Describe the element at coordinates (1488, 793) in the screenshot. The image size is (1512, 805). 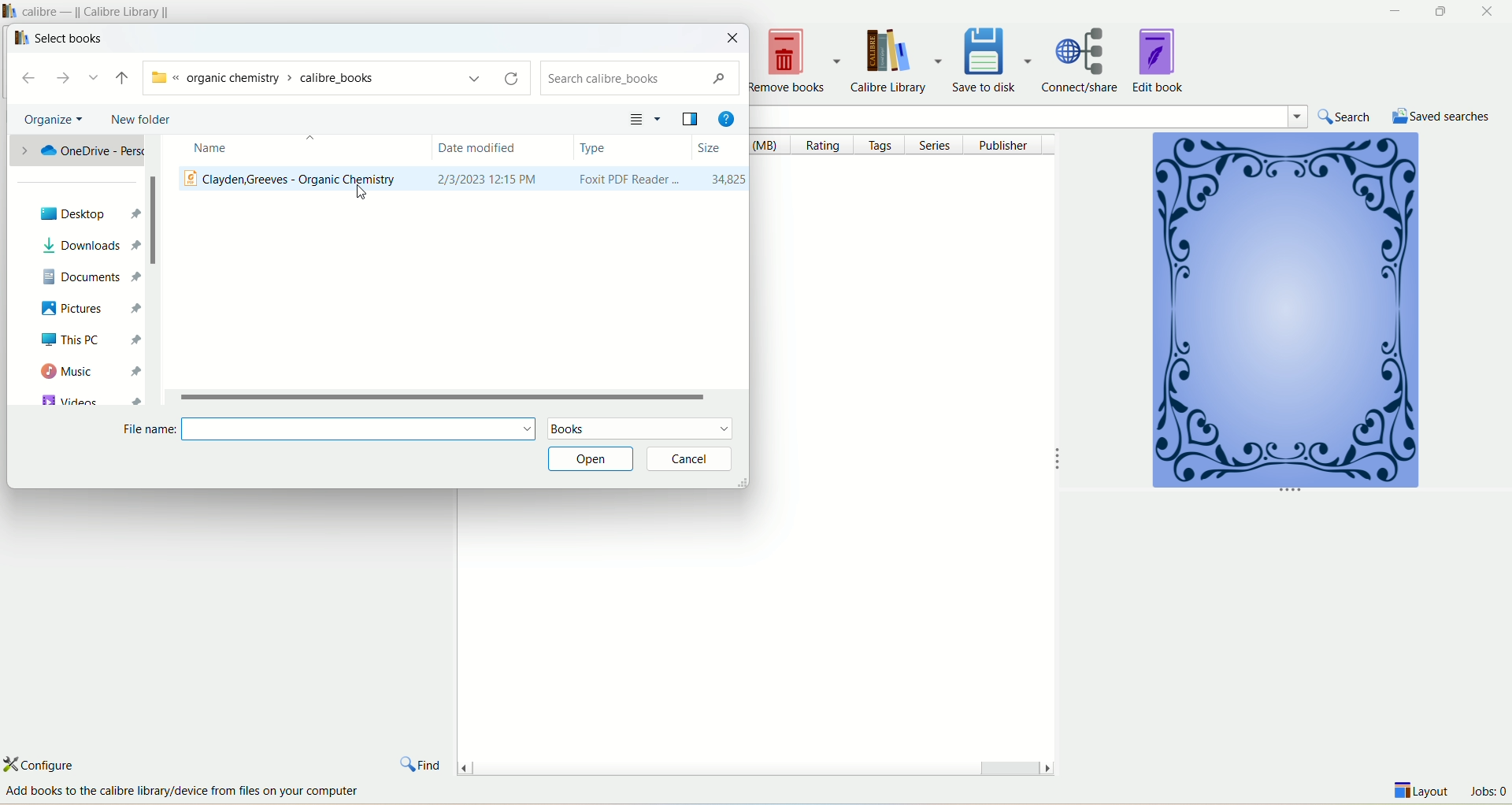
I see `jobs` at that location.